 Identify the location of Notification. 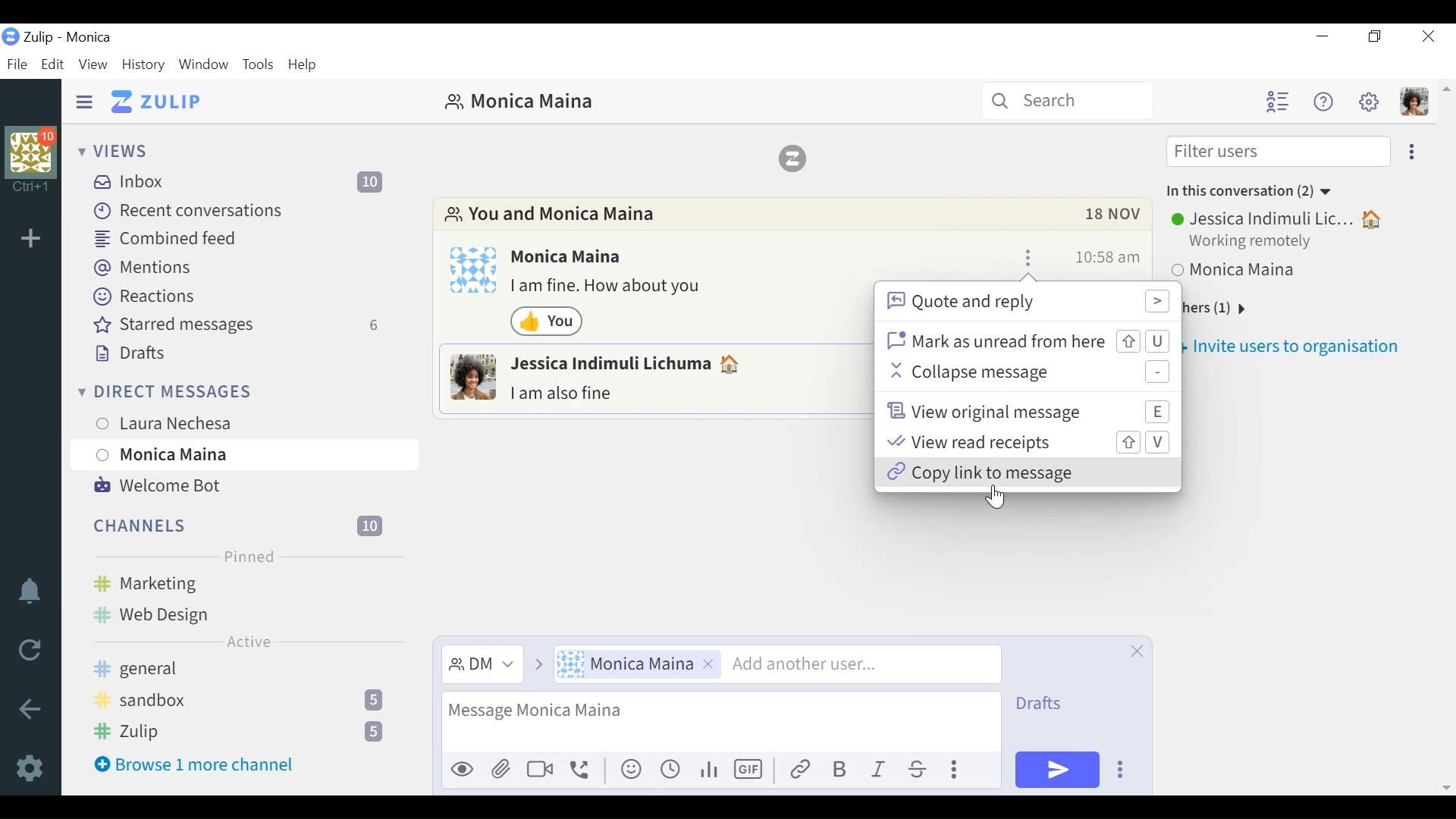
(28, 592).